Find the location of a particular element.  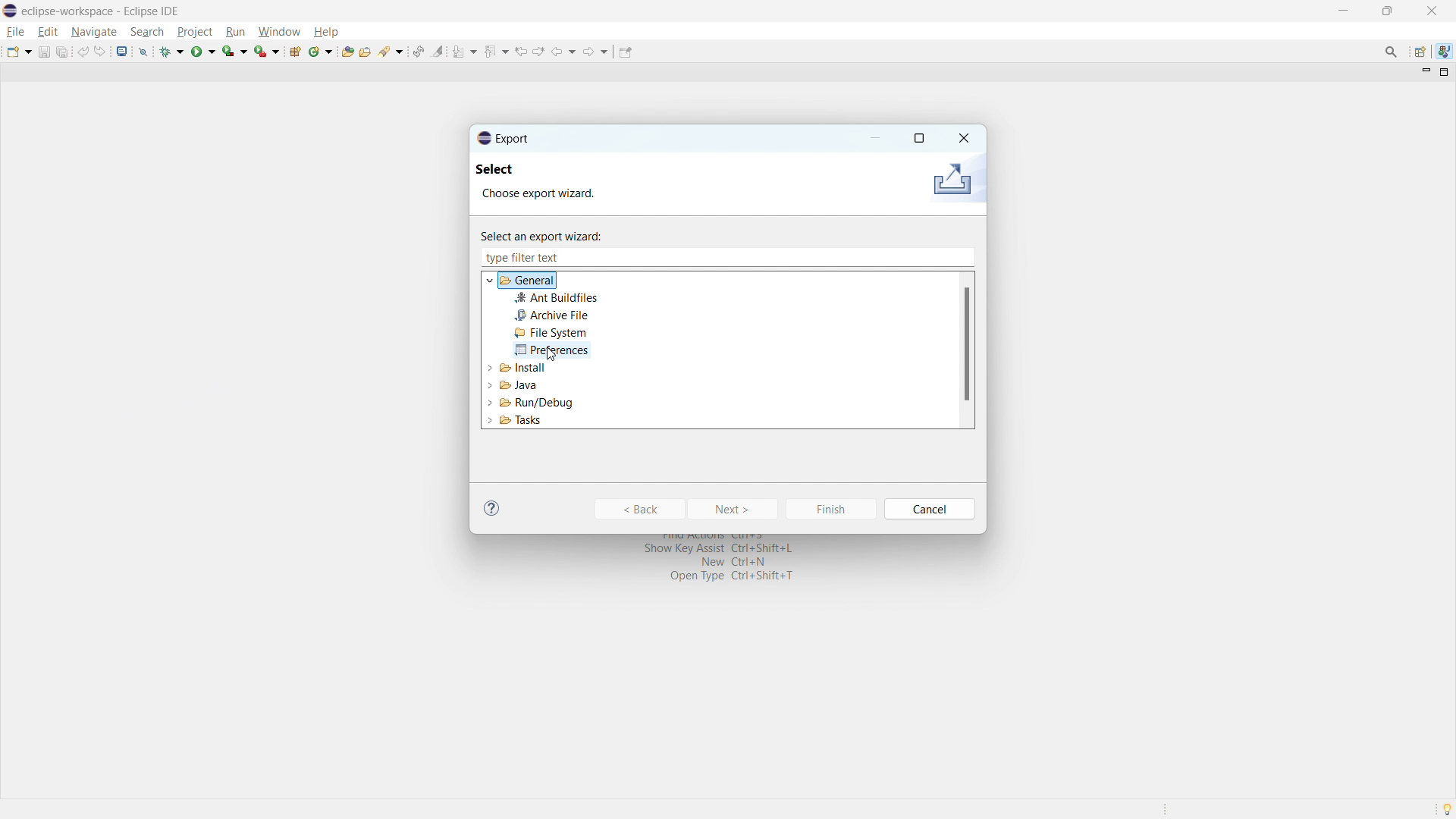

toggle ant mark occurances is located at coordinates (438, 51).